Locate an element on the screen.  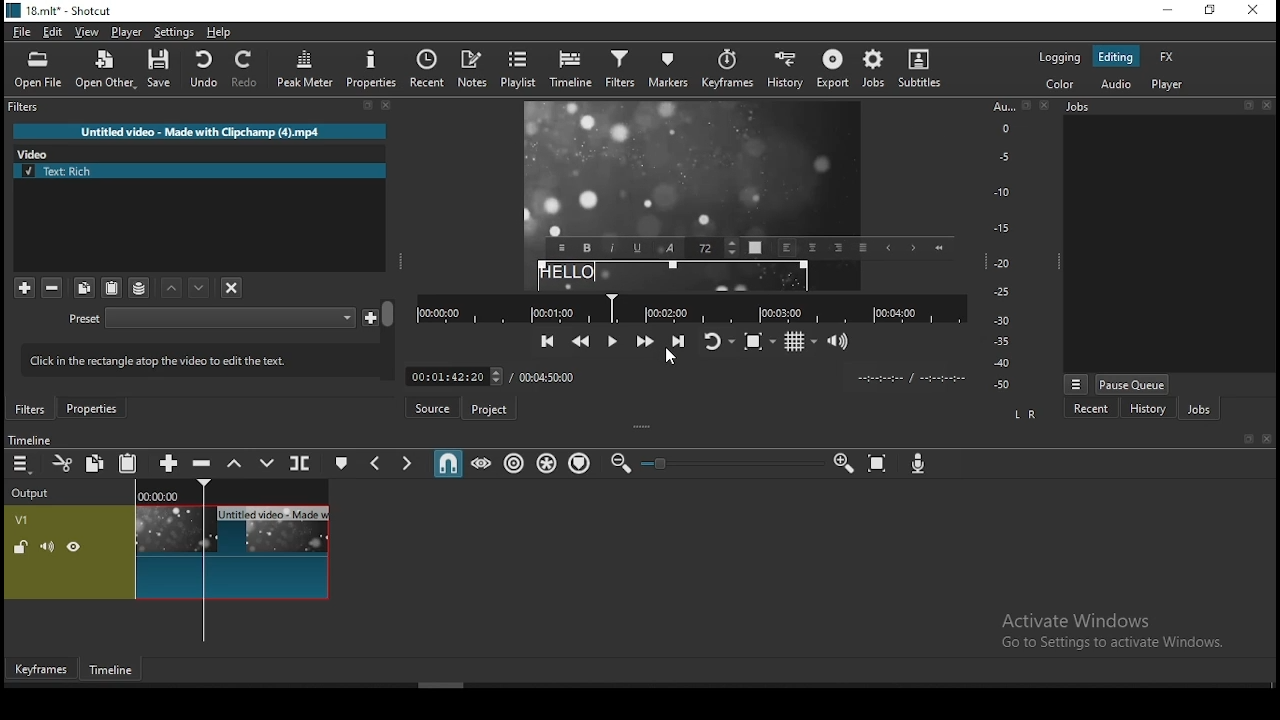
L R is located at coordinates (1026, 415).